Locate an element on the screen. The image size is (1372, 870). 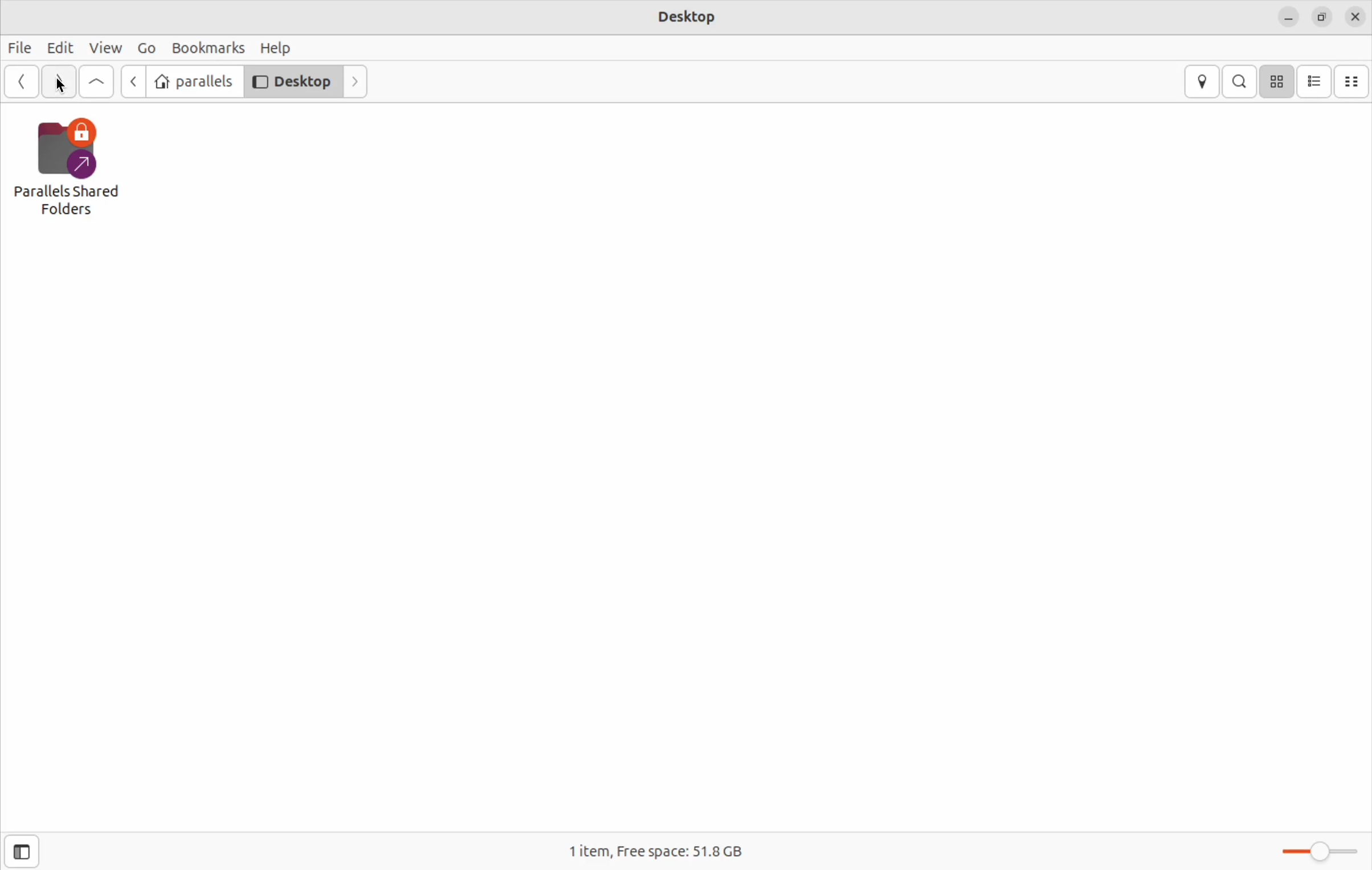
go back is located at coordinates (132, 80).